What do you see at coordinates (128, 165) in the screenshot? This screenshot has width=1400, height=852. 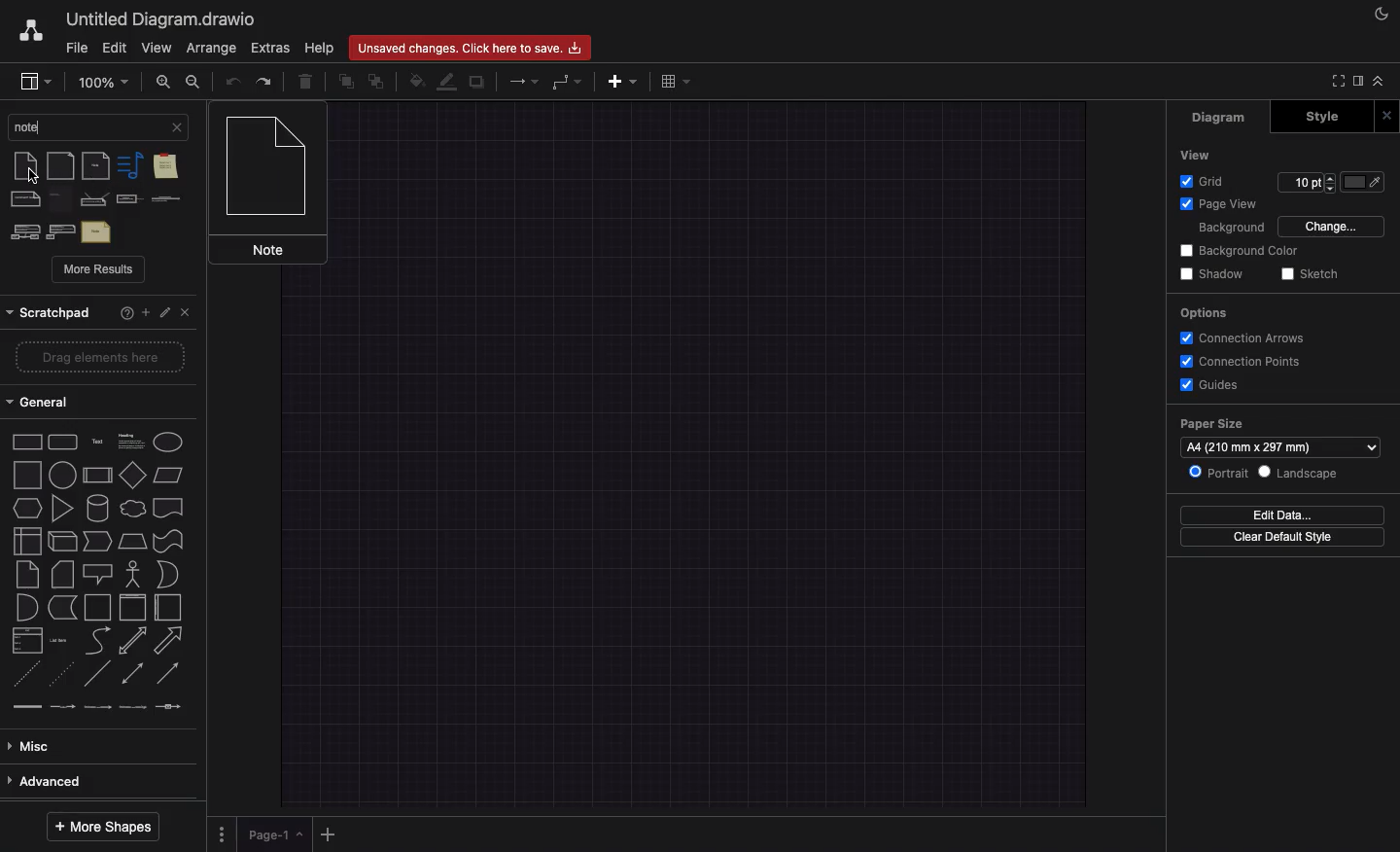 I see `note` at bounding box center [128, 165].